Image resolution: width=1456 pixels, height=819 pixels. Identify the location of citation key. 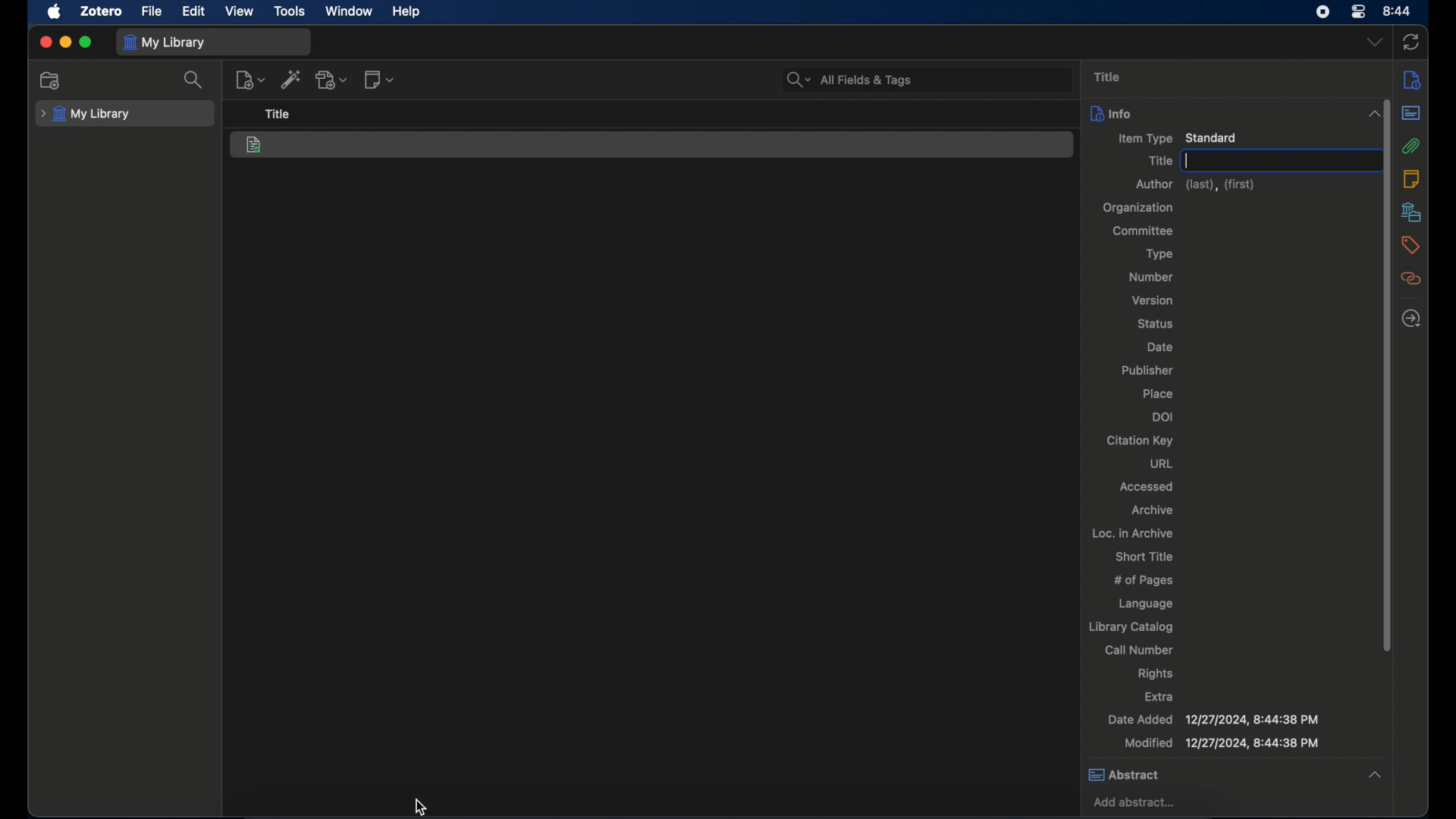
(1138, 441).